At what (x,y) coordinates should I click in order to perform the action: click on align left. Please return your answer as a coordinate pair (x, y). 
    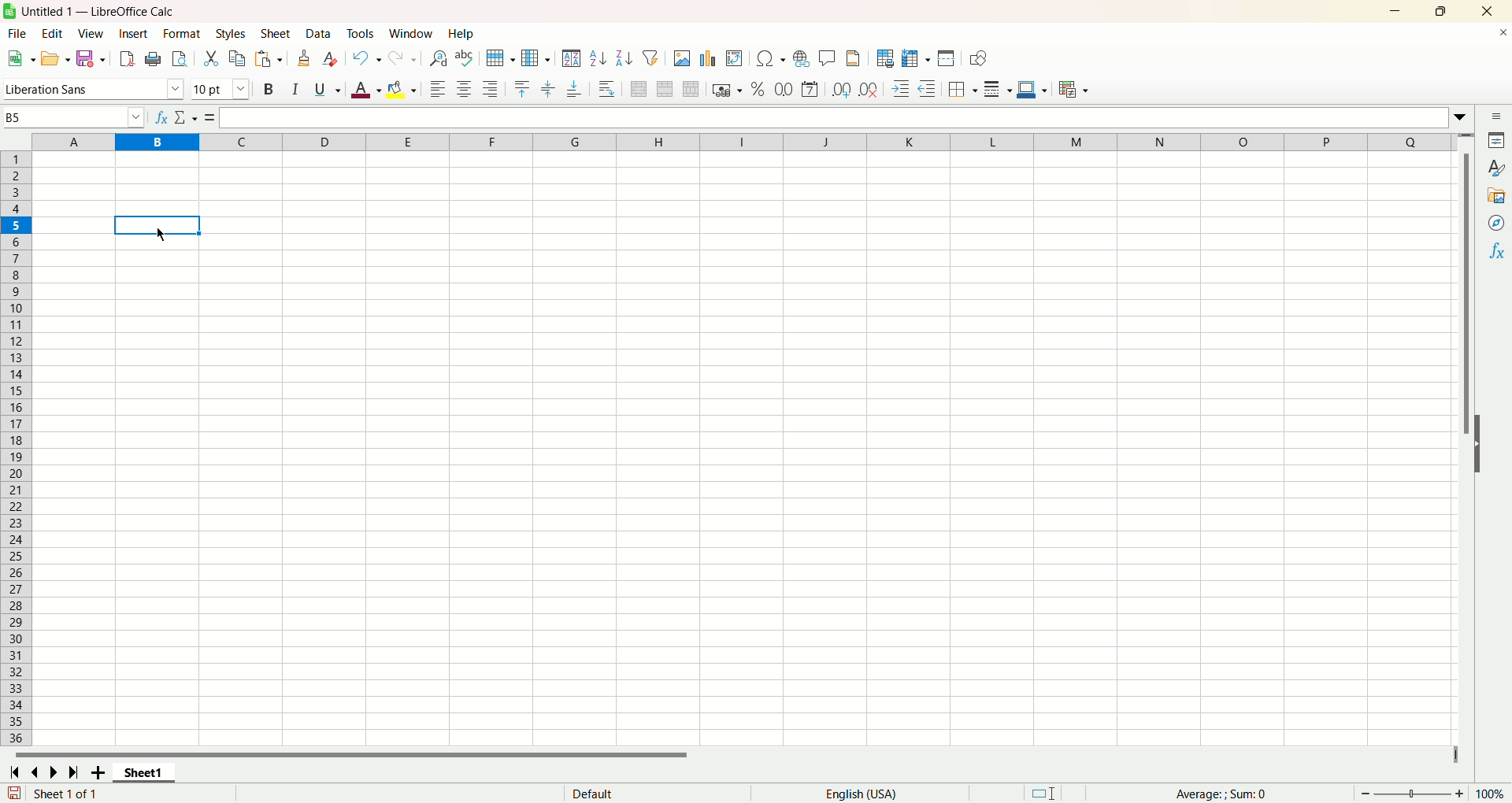
    Looking at the image, I should click on (438, 87).